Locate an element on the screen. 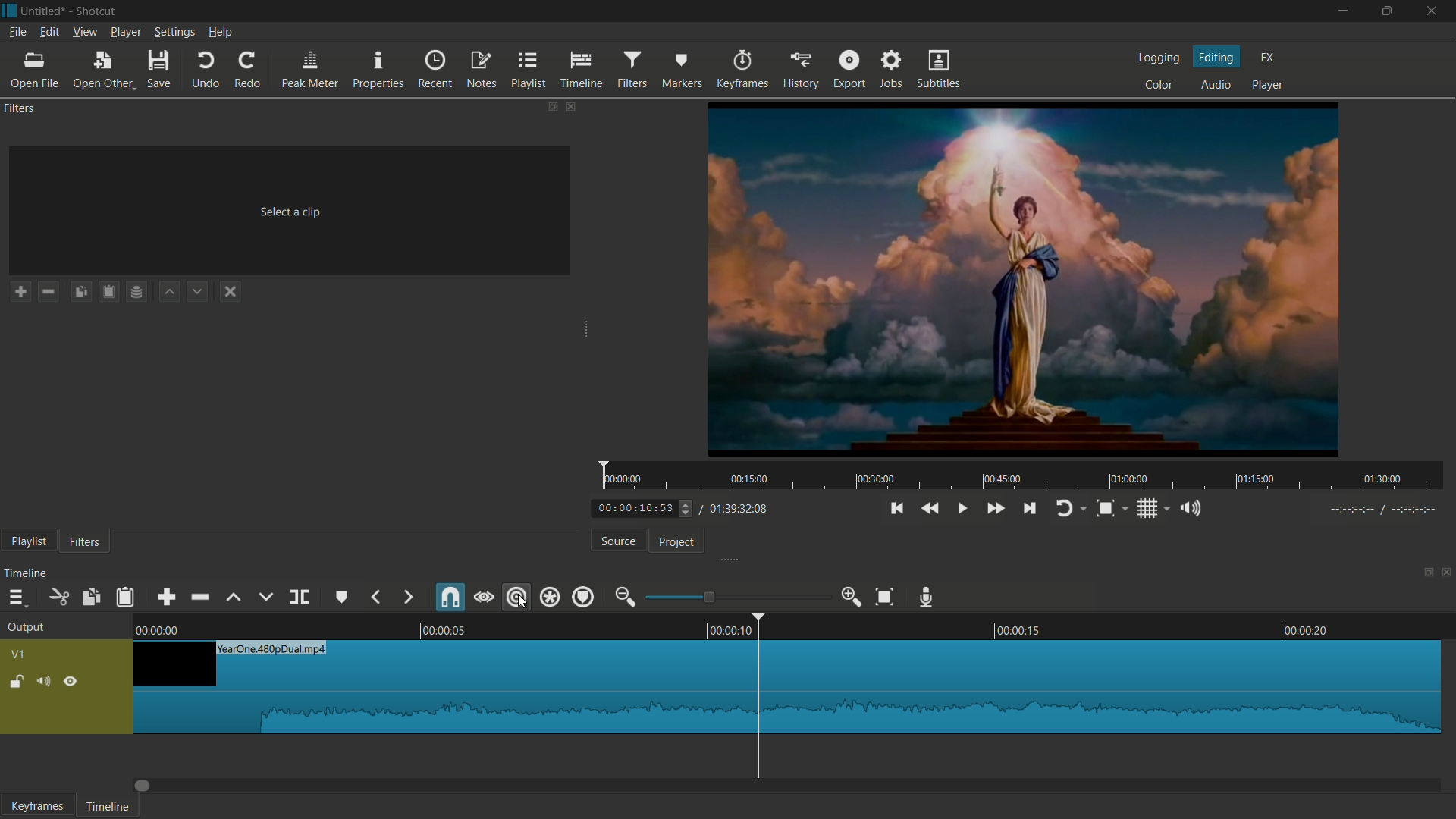 This screenshot has width=1456, height=819. zoom out is located at coordinates (626, 597).